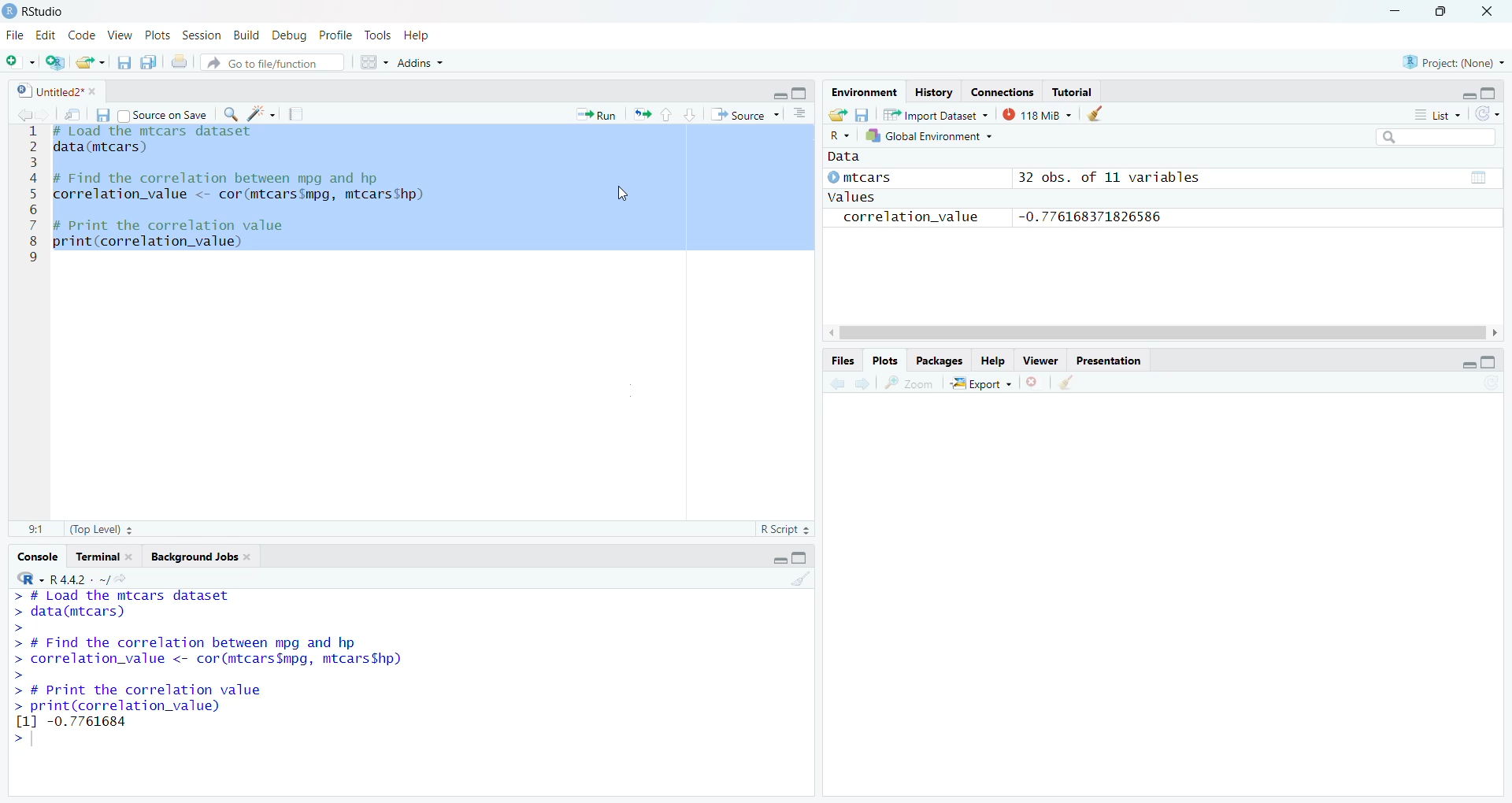  I want to click on View the current working directory, so click(122, 579).